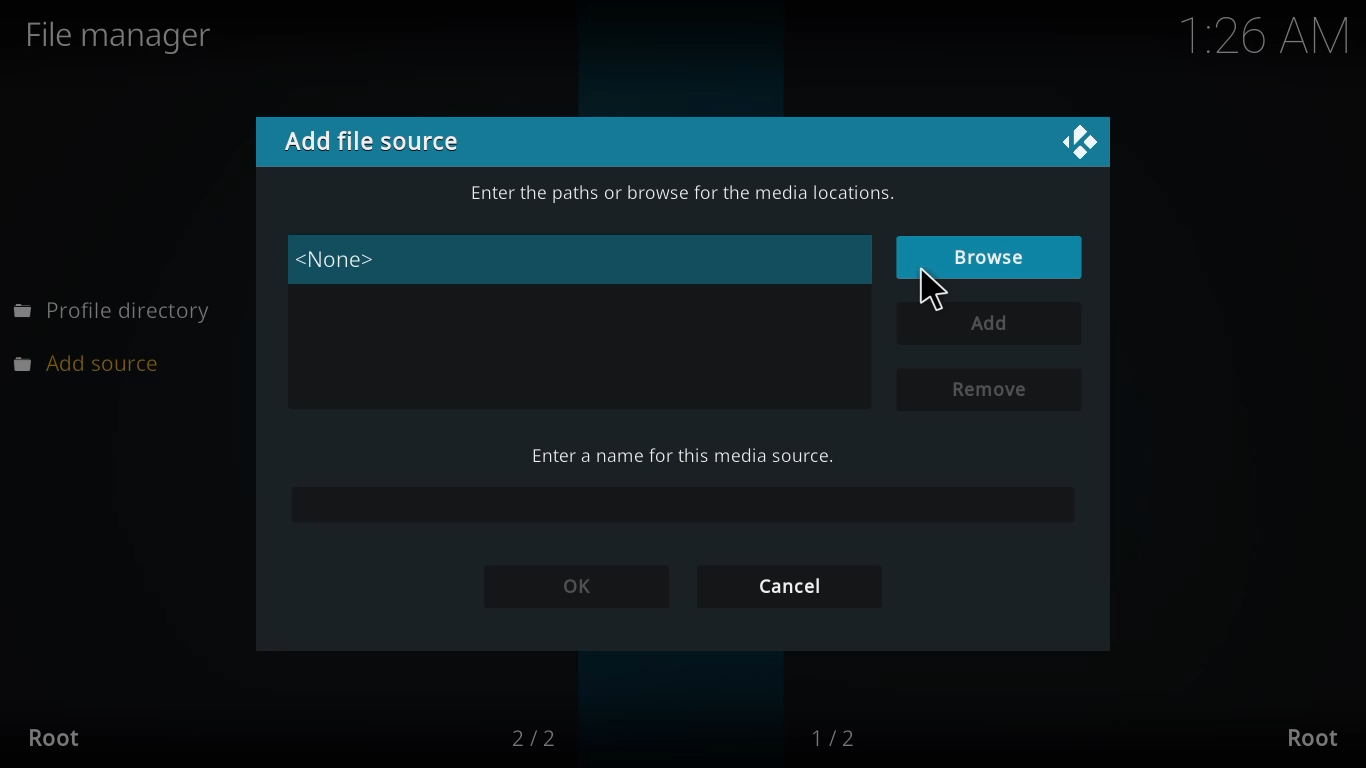  What do you see at coordinates (676, 454) in the screenshot?
I see `enter name` at bounding box center [676, 454].